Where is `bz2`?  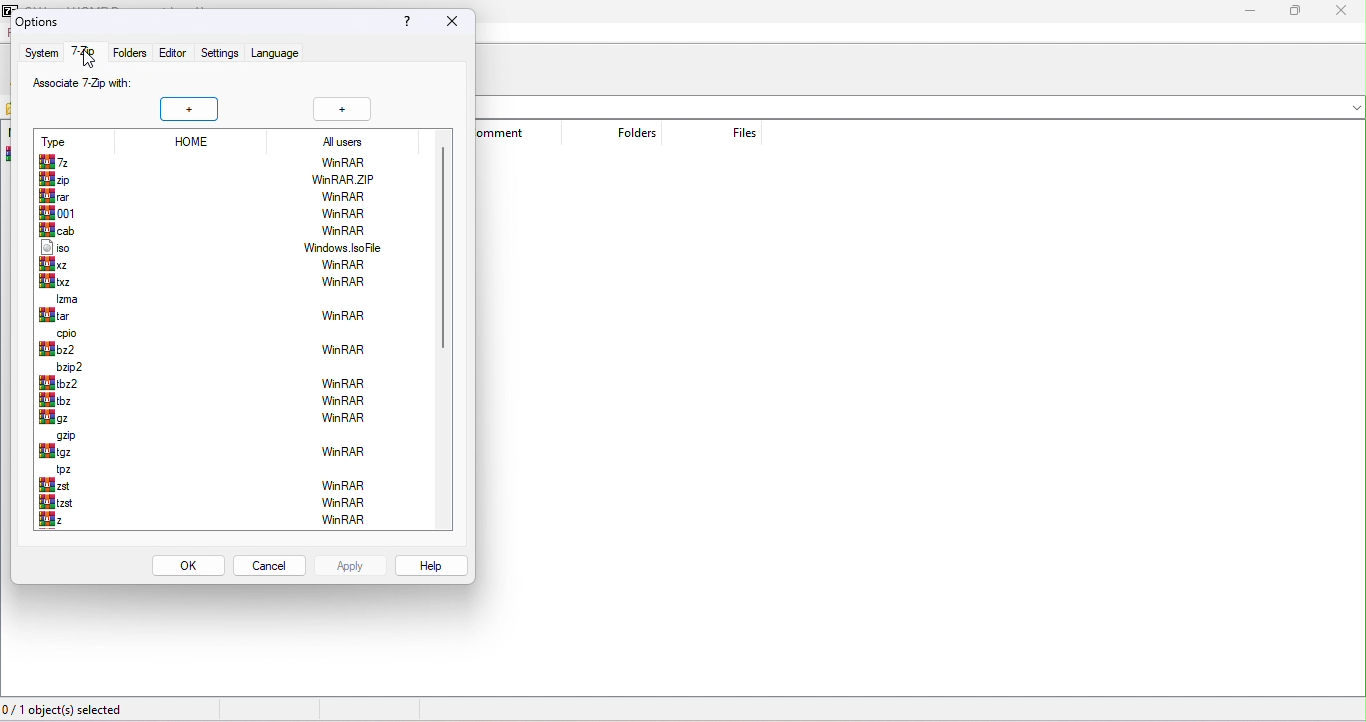
bz2 is located at coordinates (68, 350).